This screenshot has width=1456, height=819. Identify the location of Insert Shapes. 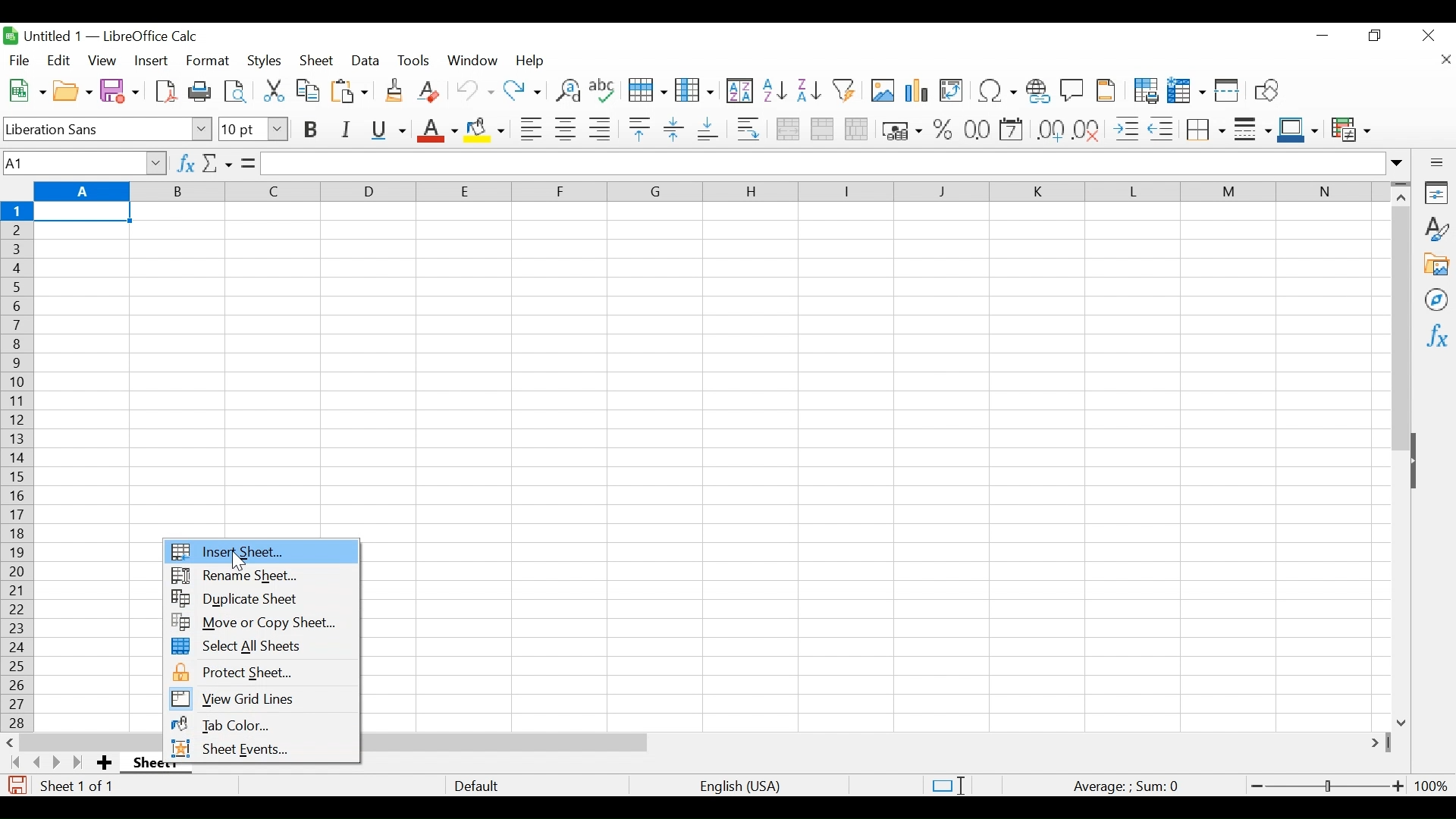
(1266, 91).